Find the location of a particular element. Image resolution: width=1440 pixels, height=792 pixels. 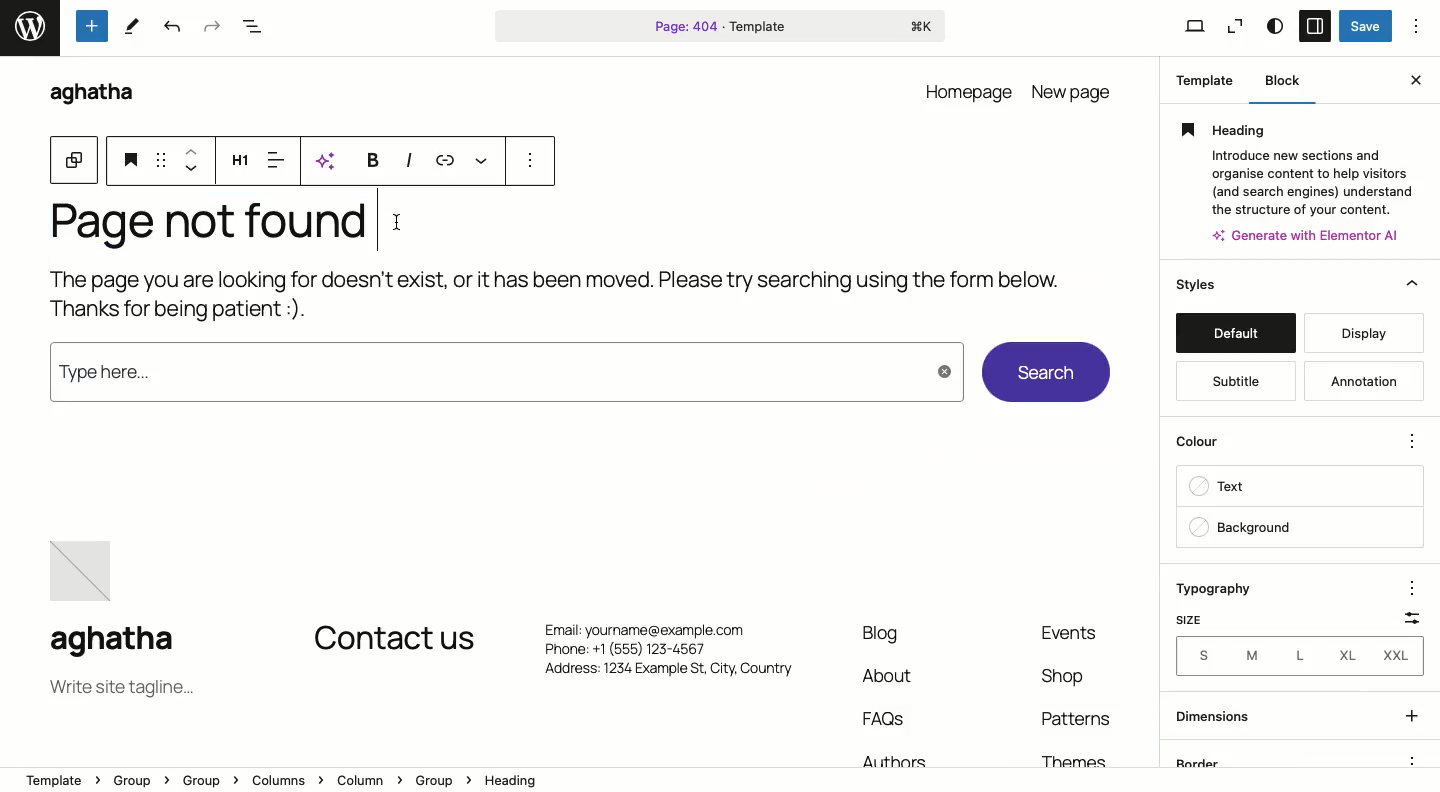

type here is located at coordinates (498, 373).